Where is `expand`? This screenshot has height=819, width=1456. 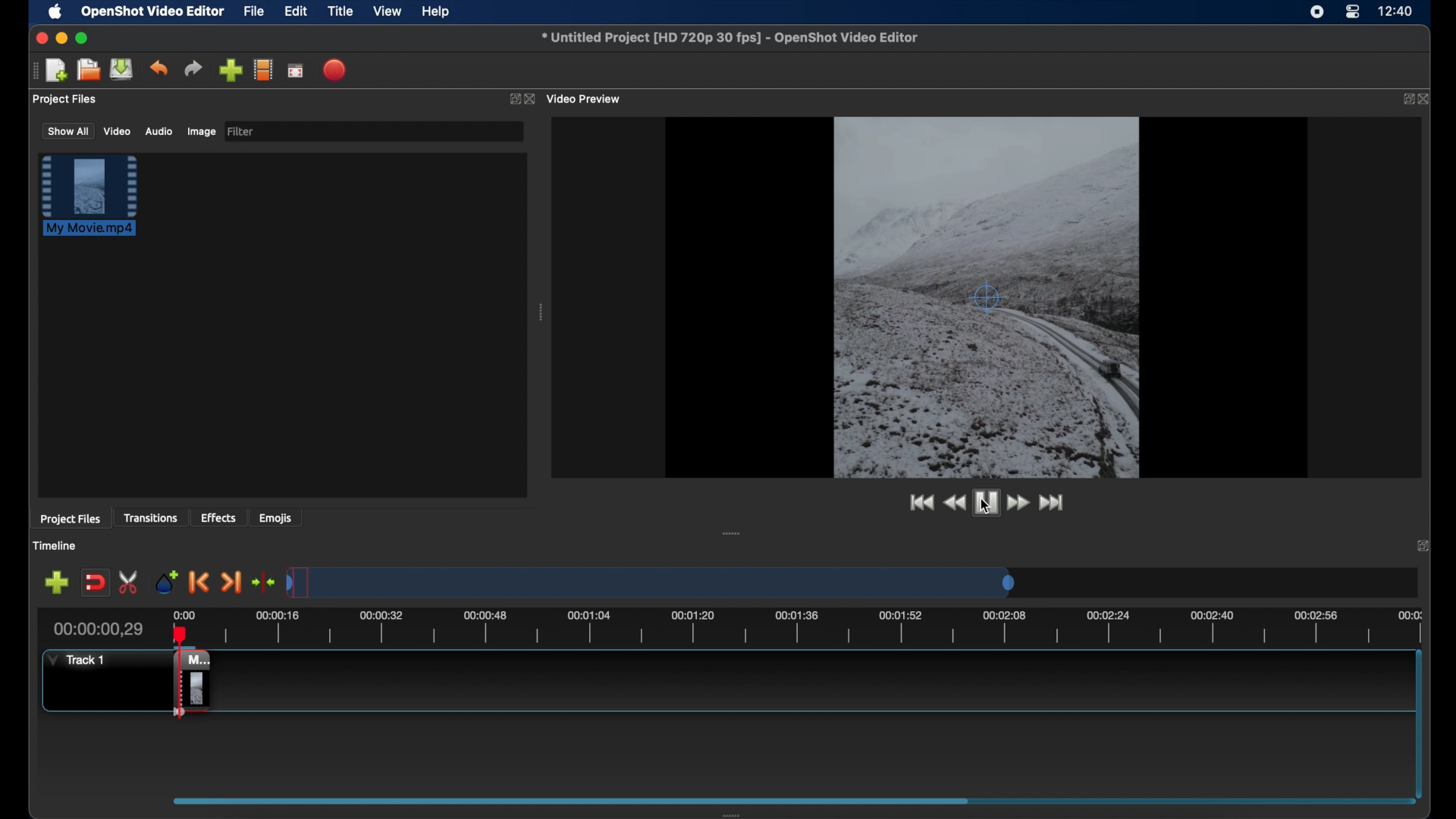 expand is located at coordinates (1423, 546).